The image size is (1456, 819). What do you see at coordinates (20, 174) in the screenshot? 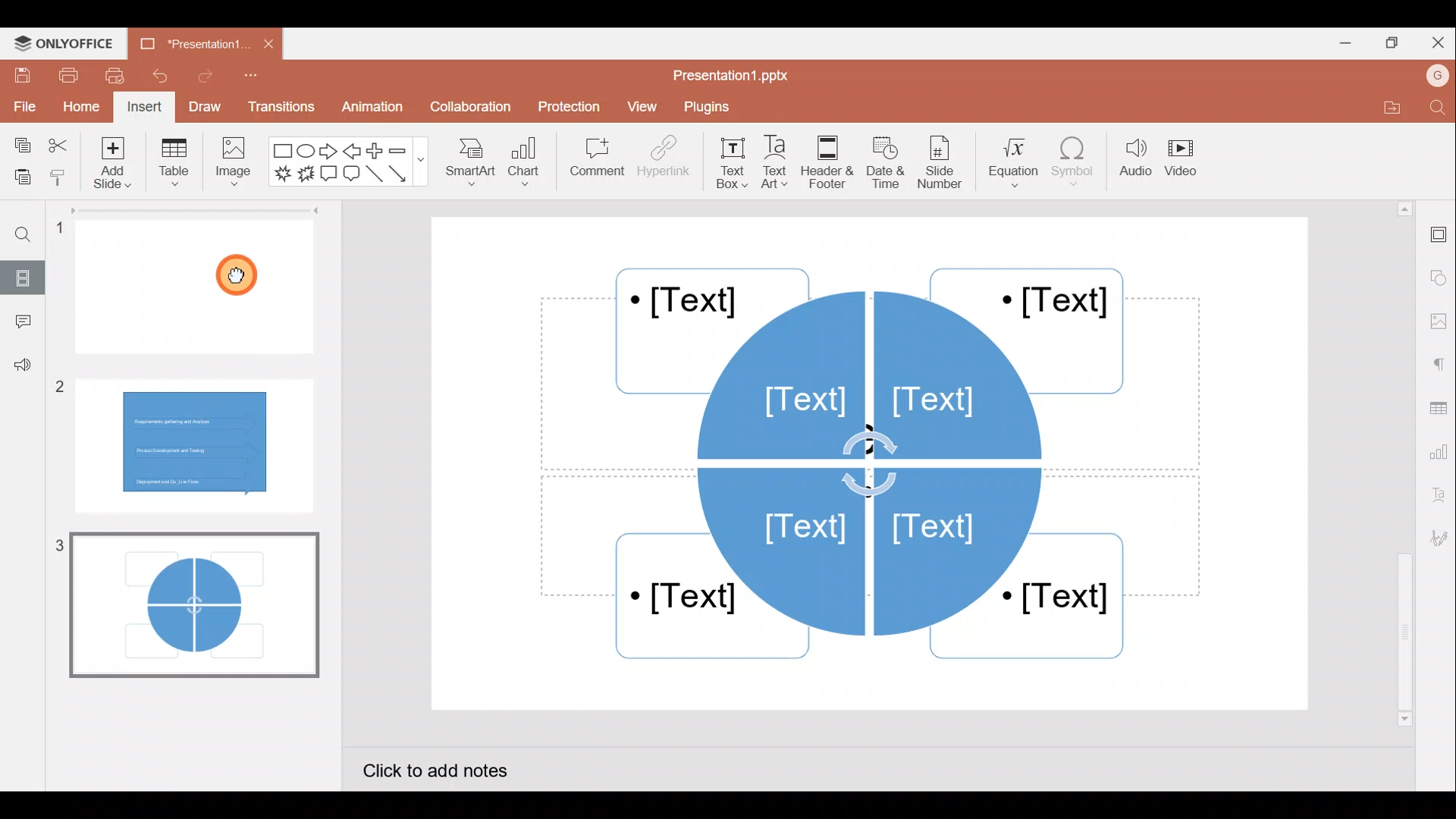
I see `Paste` at bounding box center [20, 174].